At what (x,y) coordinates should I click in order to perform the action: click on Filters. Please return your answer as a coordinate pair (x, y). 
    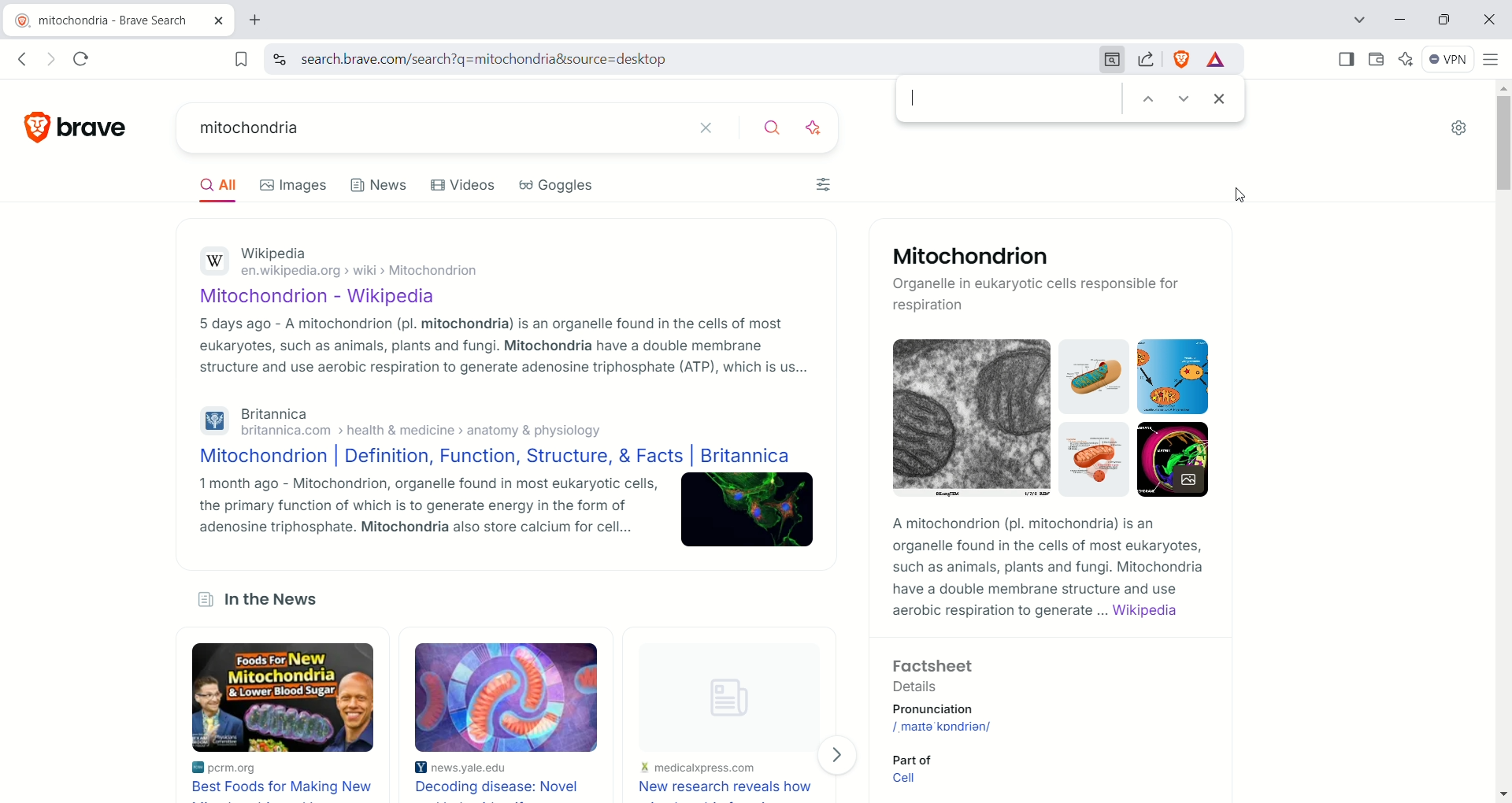
    Looking at the image, I should click on (825, 185).